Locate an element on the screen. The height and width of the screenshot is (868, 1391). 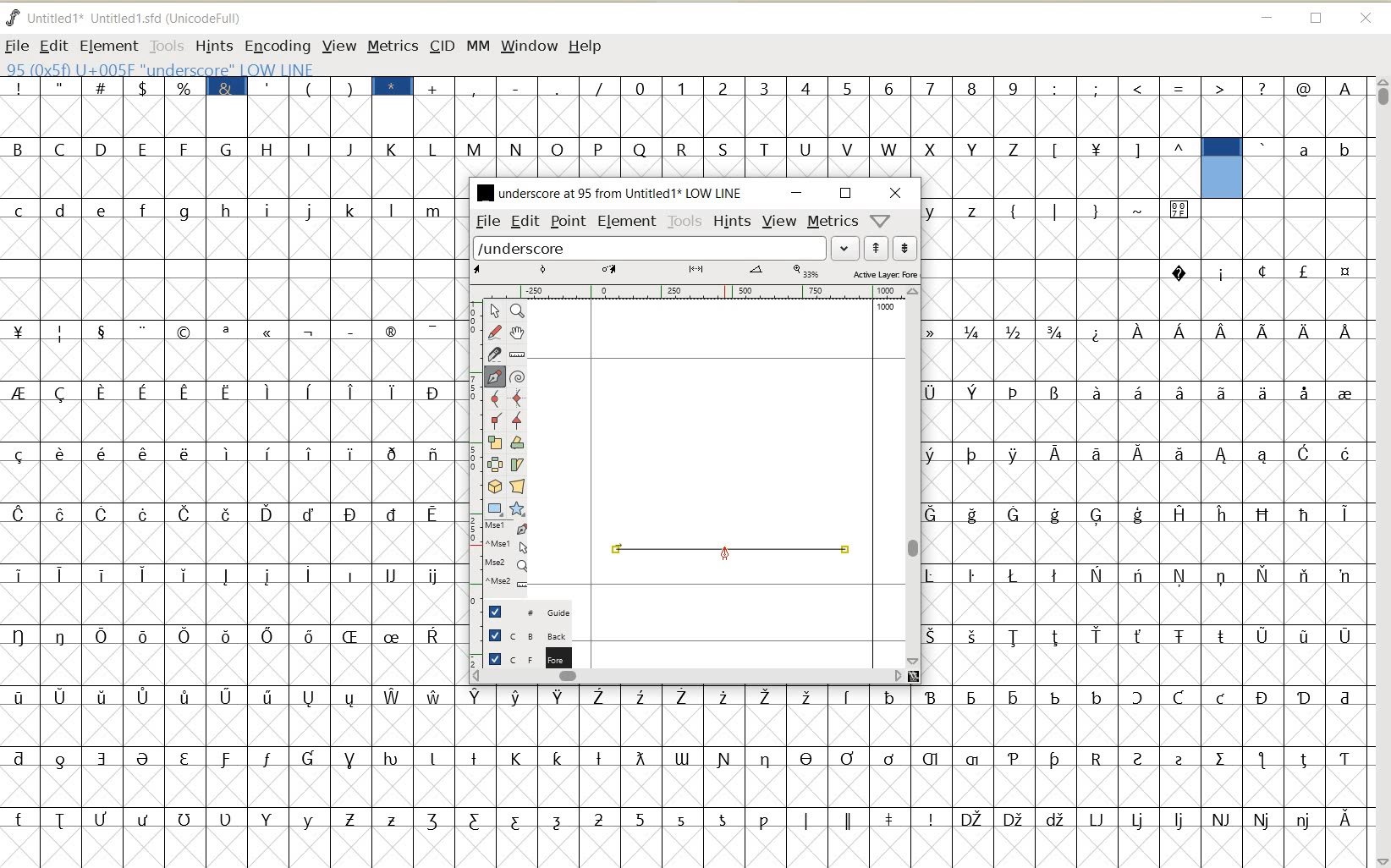
skew the selection is located at coordinates (516, 465).